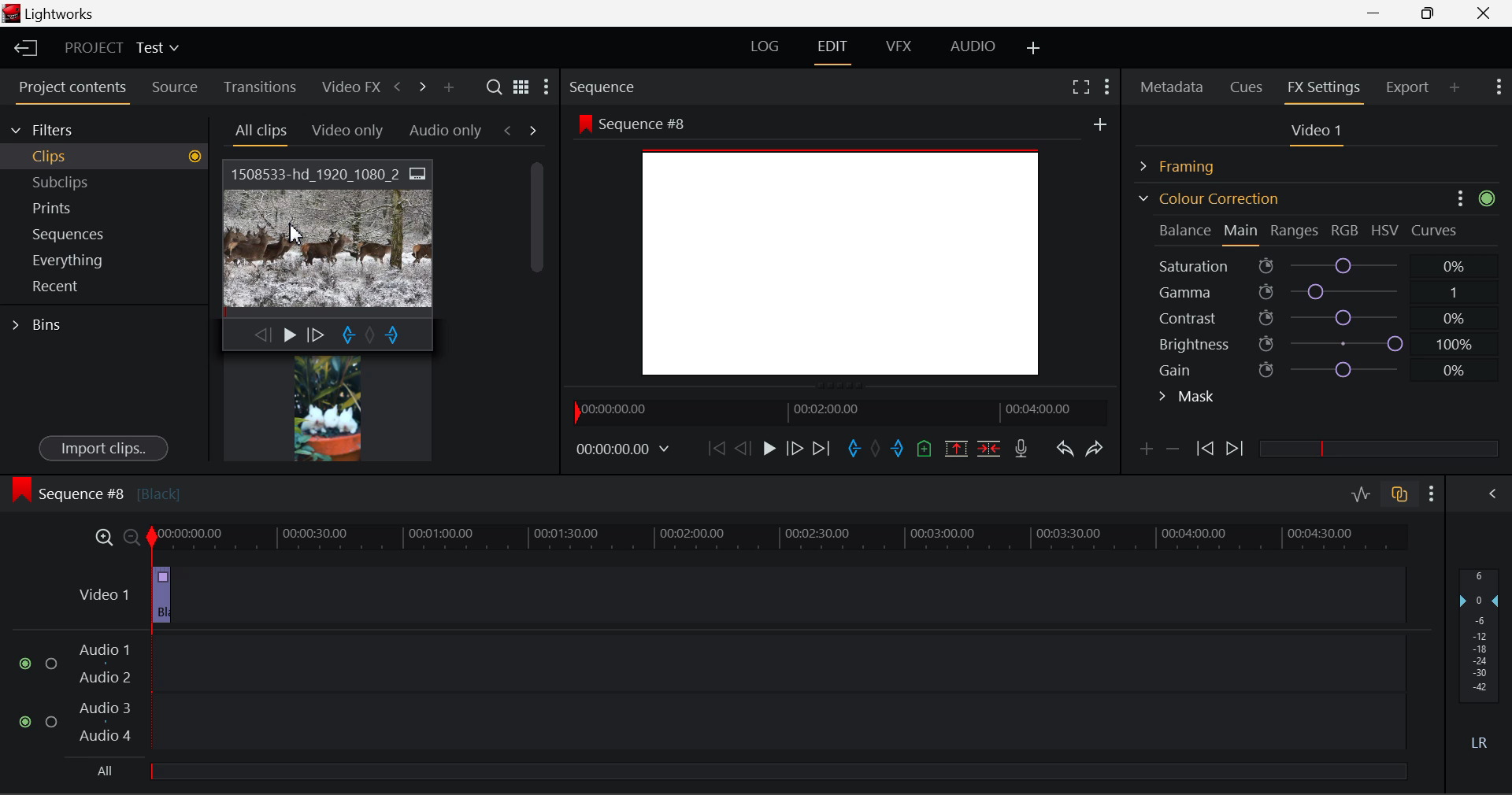 The width and height of the screenshot is (1512, 795). I want to click on Subclips, so click(76, 182).